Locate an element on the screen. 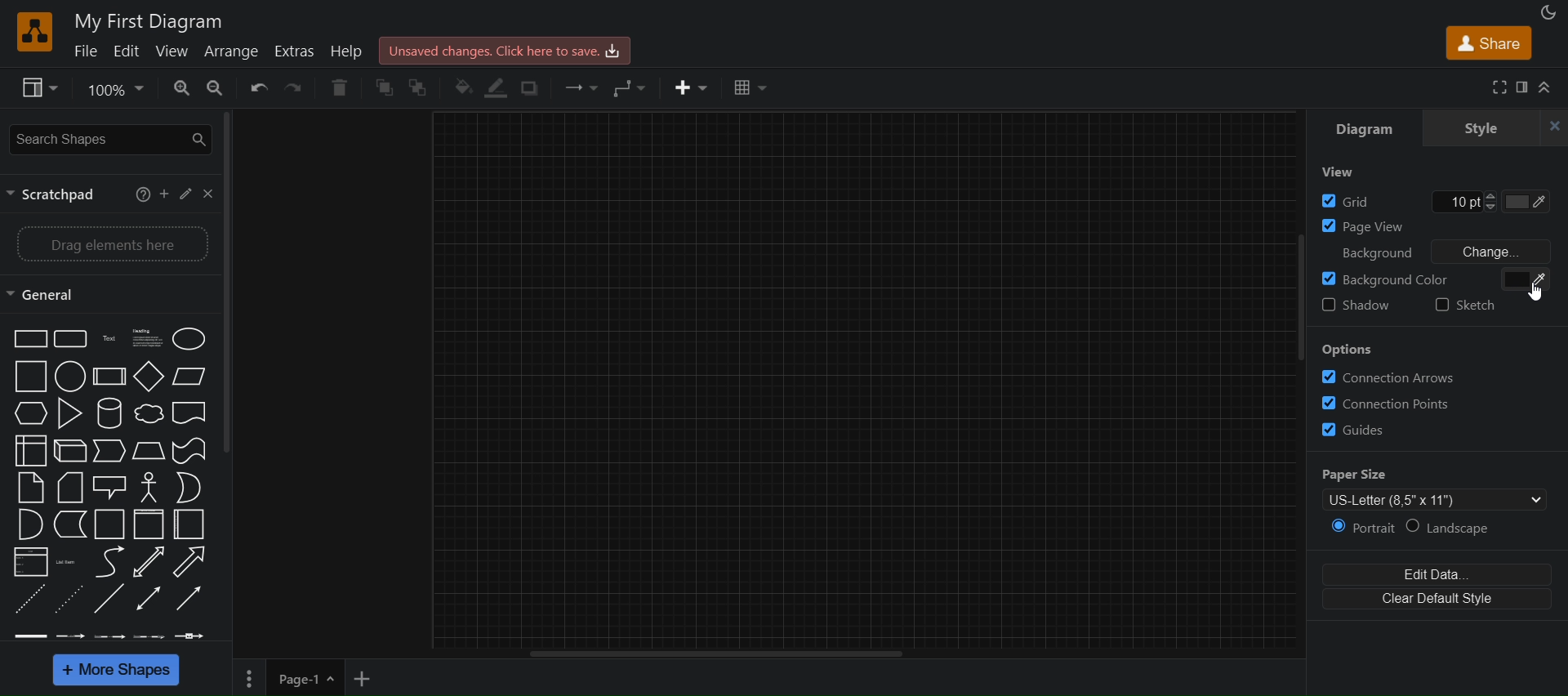 The height and width of the screenshot is (696, 1568). connection arrows is located at coordinates (1438, 378).